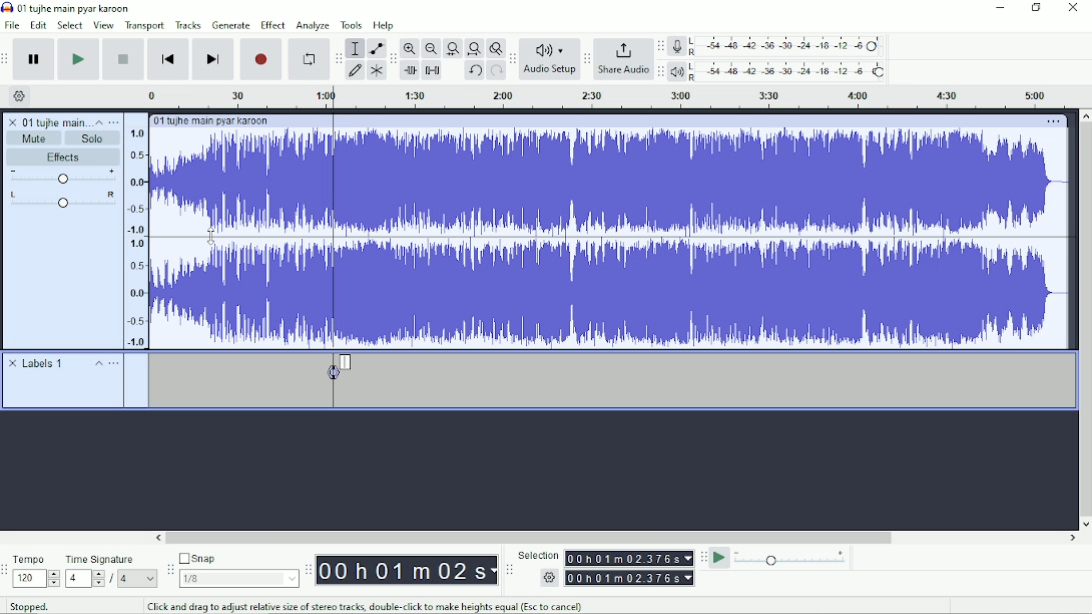 The image size is (1092, 614). I want to click on Snap, so click(238, 569).